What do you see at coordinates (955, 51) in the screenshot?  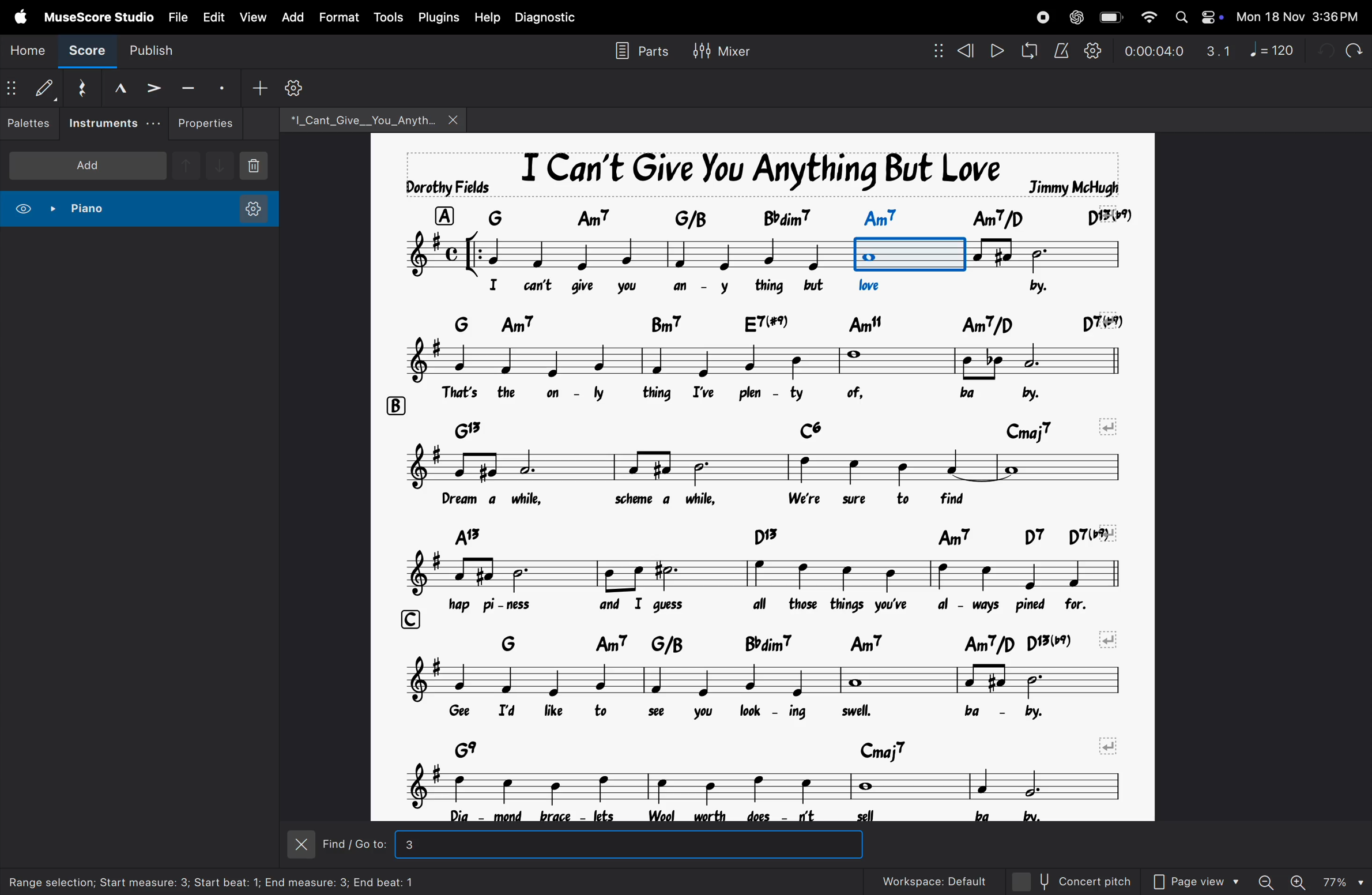 I see `rewind` at bounding box center [955, 51].